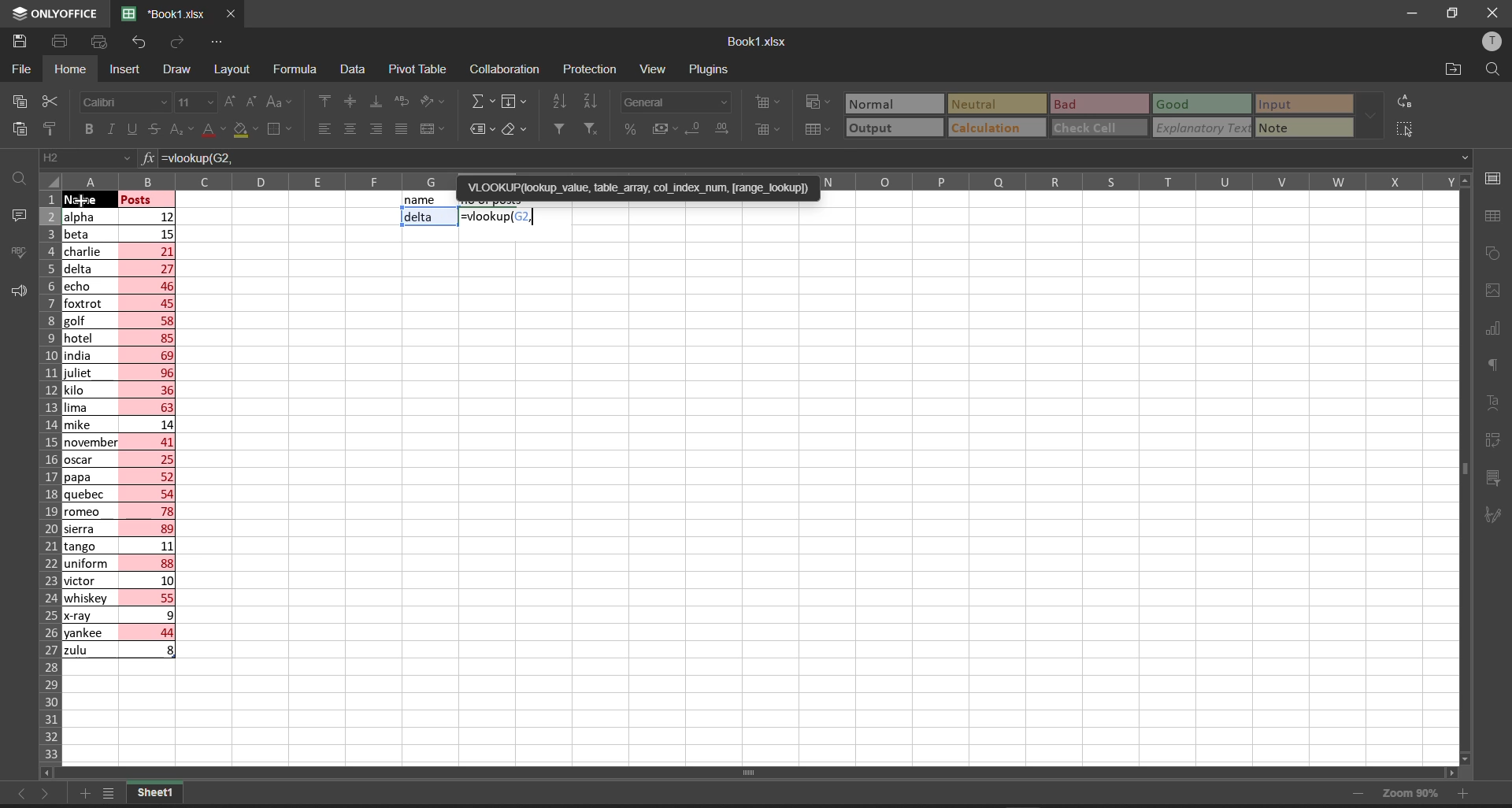  I want to click on feedback and support, so click(14, 291).